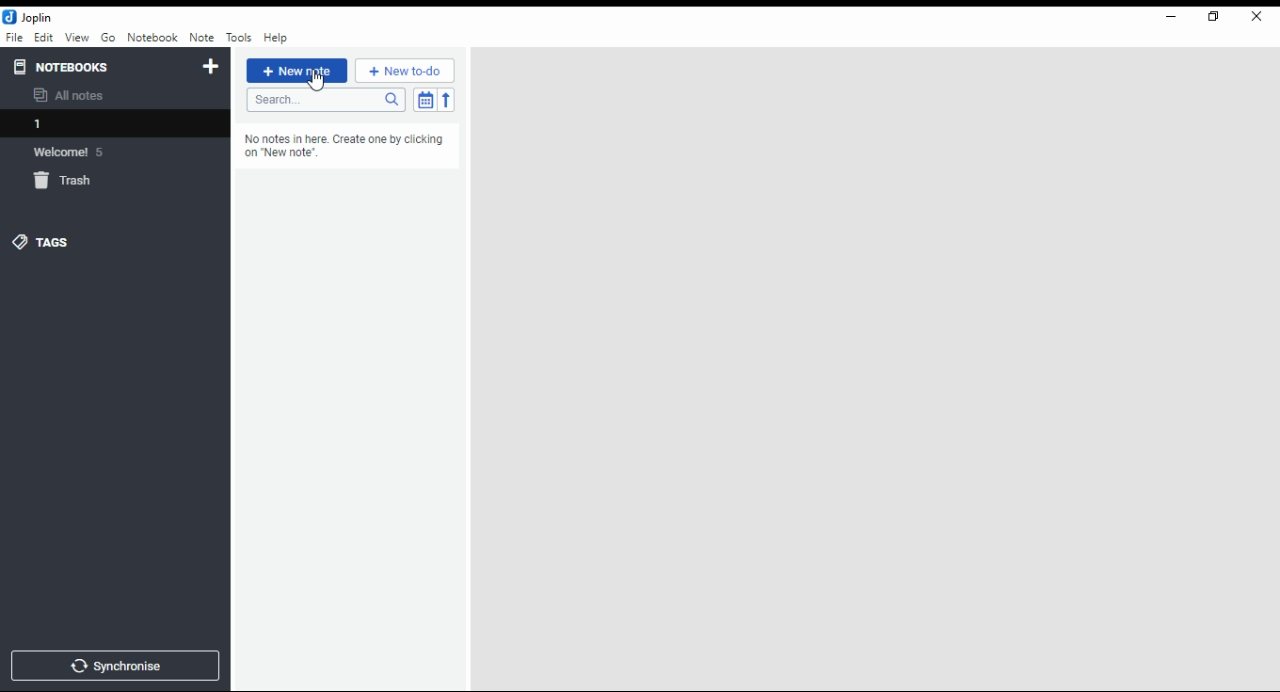 This screenshot has width=1280, height=692. I want to click on notebooks, so click(63, 68).